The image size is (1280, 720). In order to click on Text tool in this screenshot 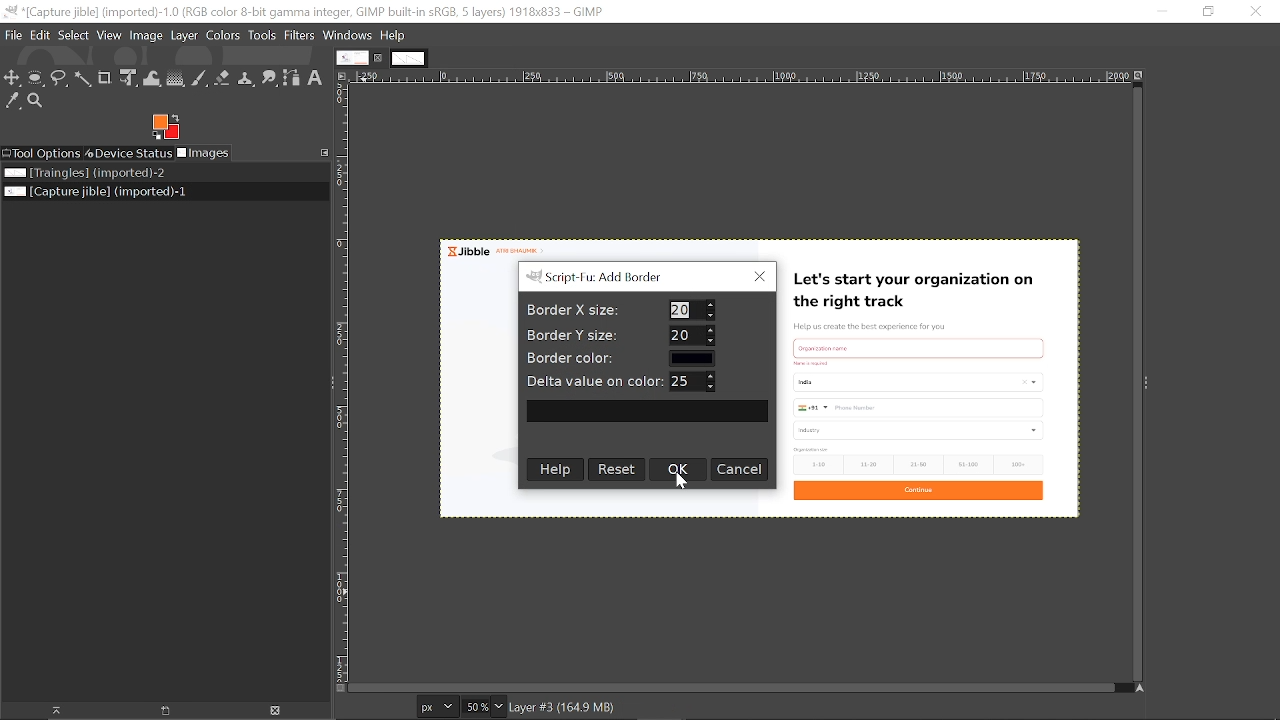, I will do `click(315, 78)`.